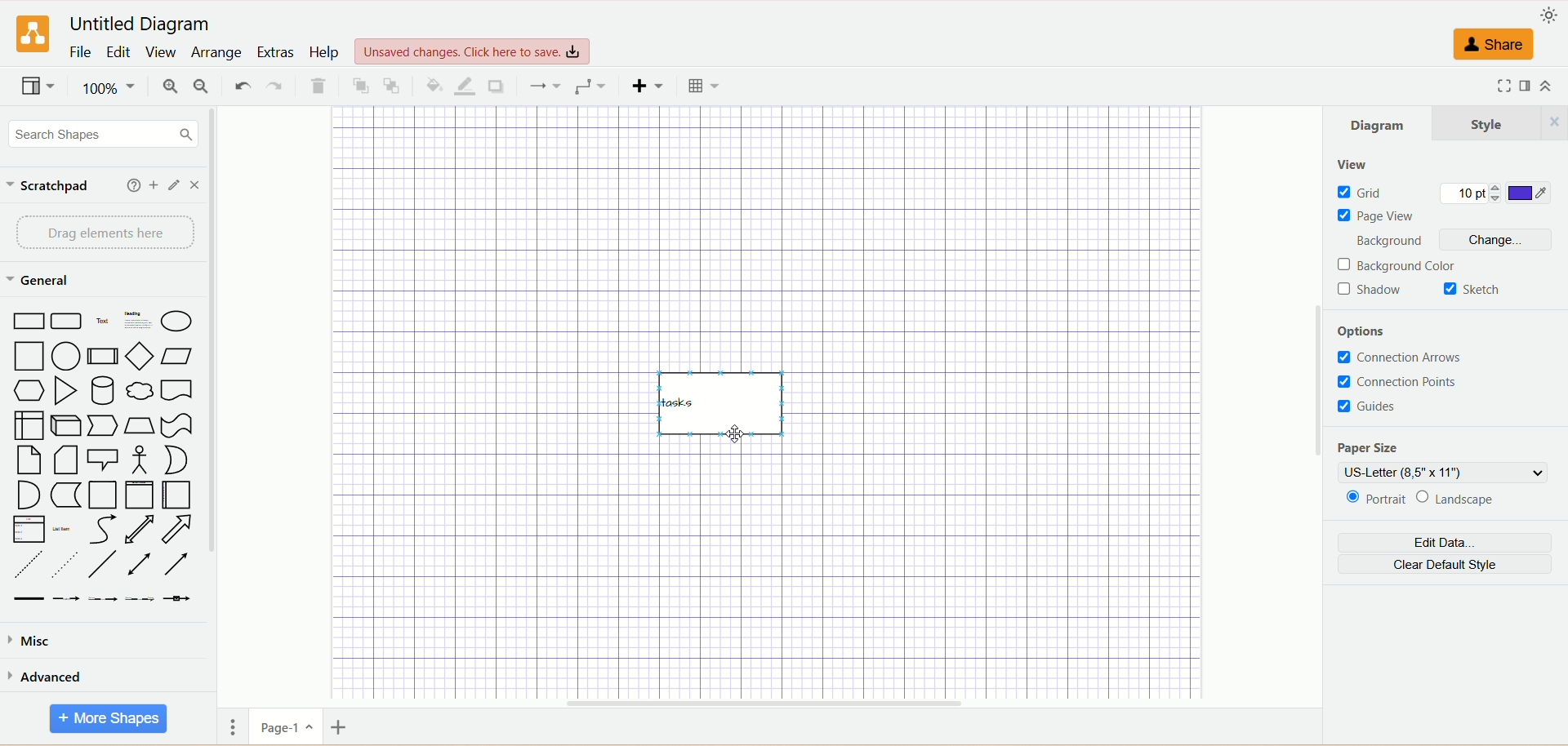 The height and width of the screenshot is (746, 1568). I want to click on connection points, so click(1396, 381).